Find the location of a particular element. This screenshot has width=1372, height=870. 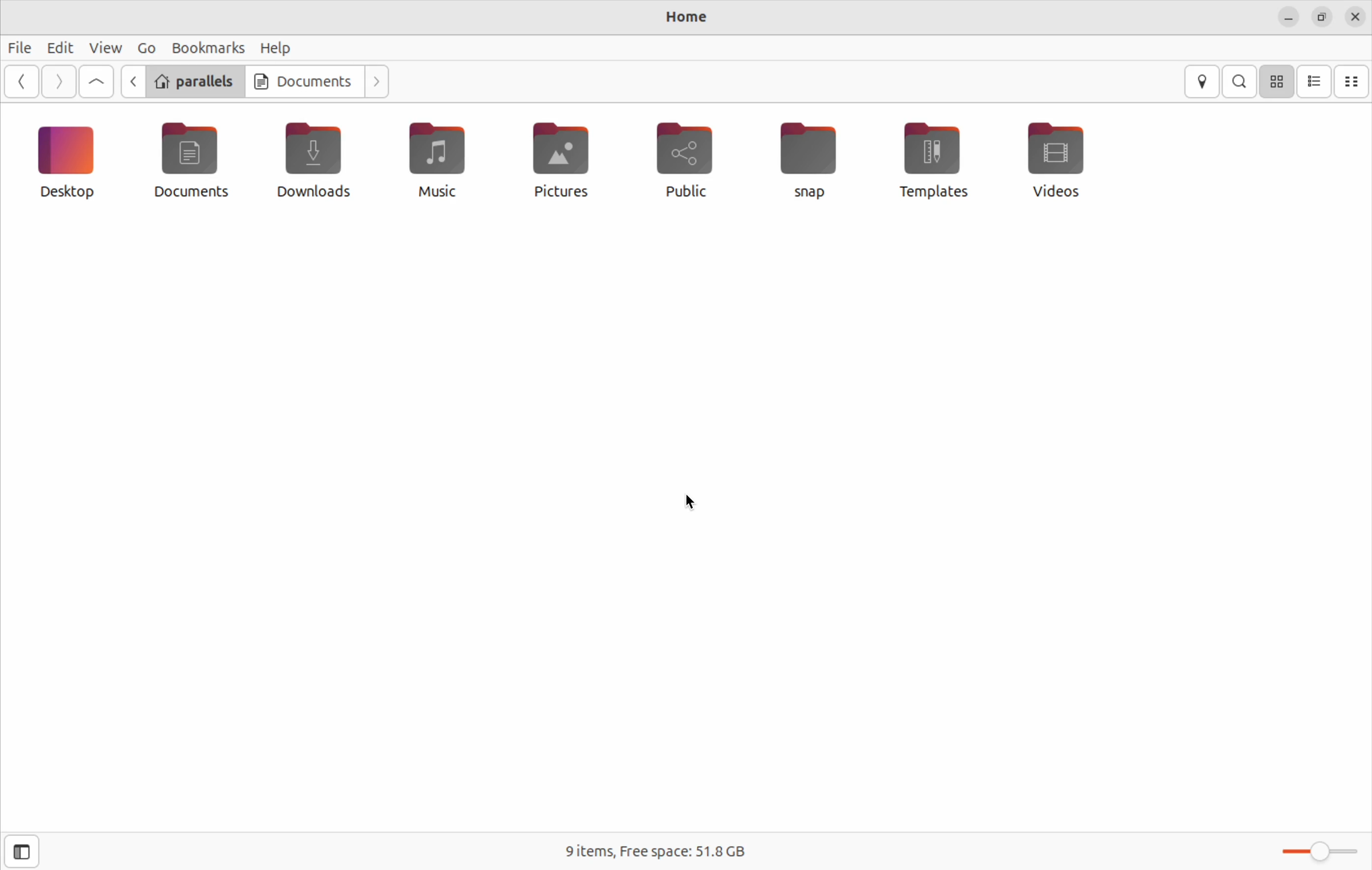

forward is located at coordinates (62, 81).